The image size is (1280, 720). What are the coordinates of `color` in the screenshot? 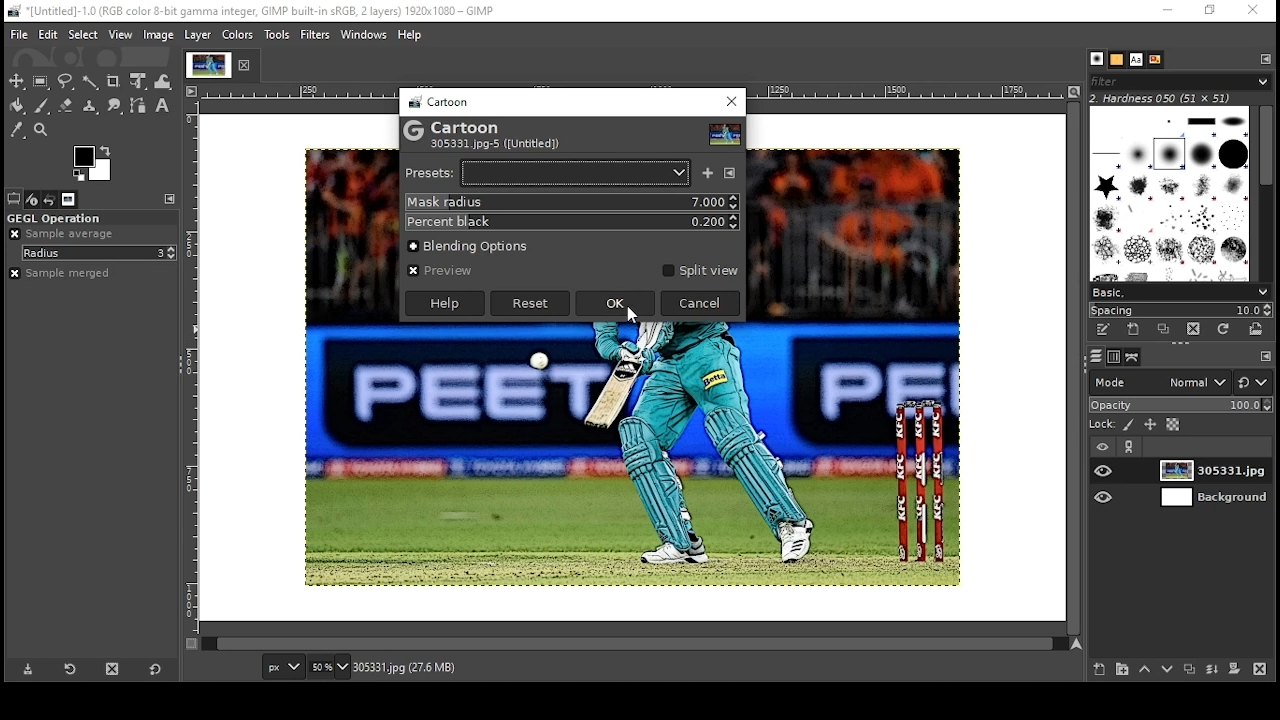 It's located at (92, 164).